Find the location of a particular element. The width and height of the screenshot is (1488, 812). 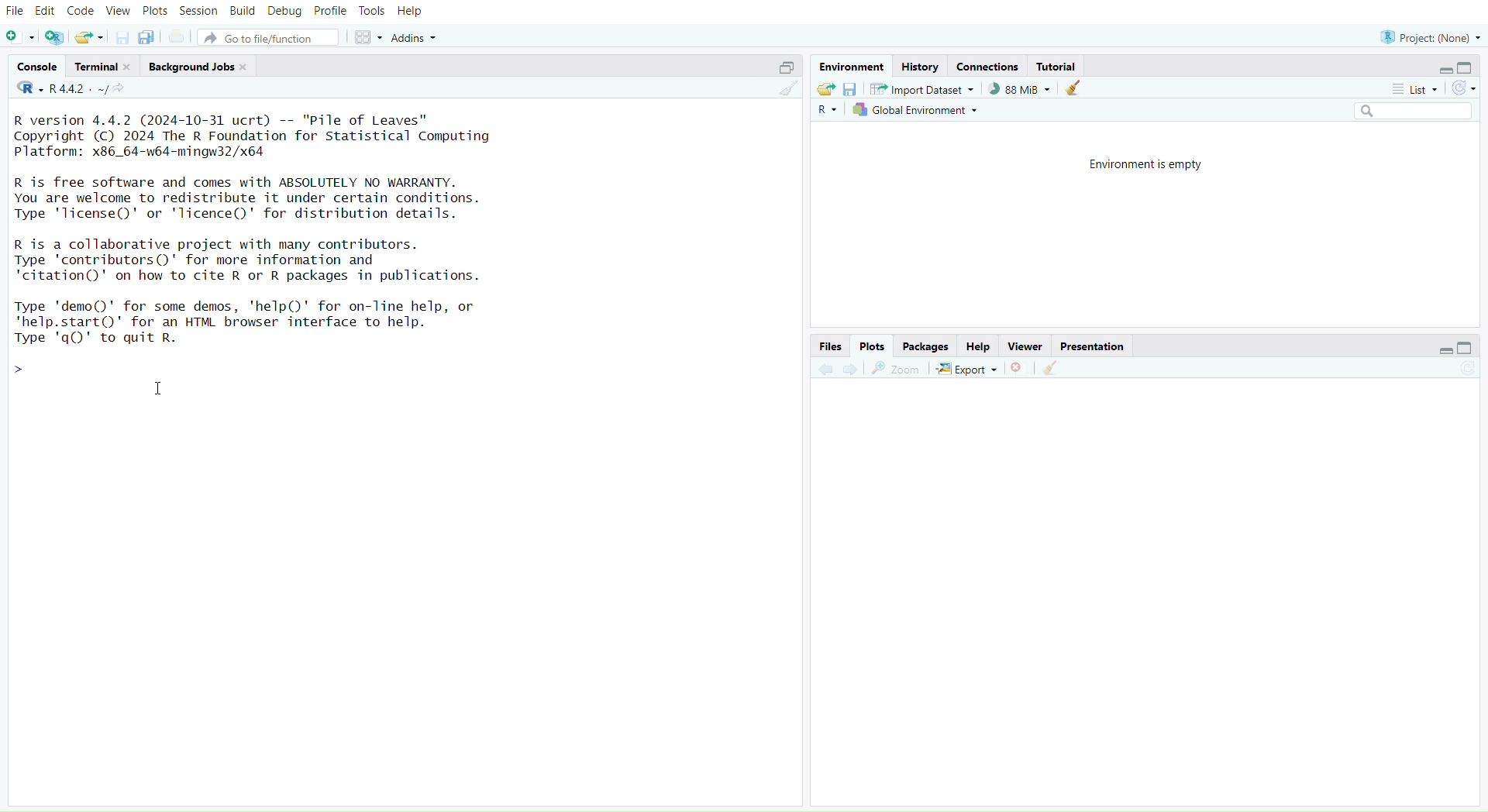

clear all objects is located at coordinates (1073, 89).